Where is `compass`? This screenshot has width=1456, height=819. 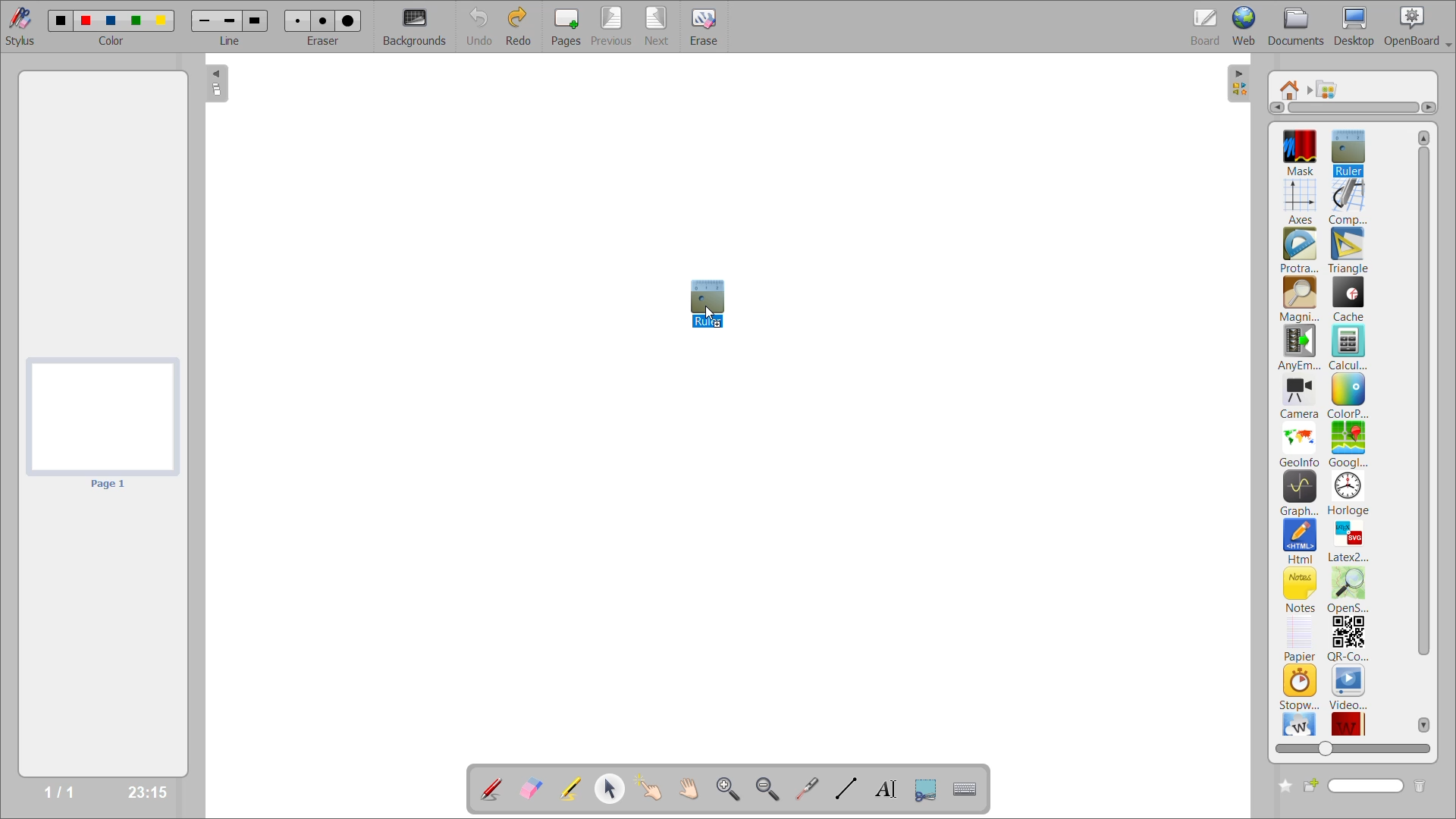 compass is located at coordinates (1348, 202).